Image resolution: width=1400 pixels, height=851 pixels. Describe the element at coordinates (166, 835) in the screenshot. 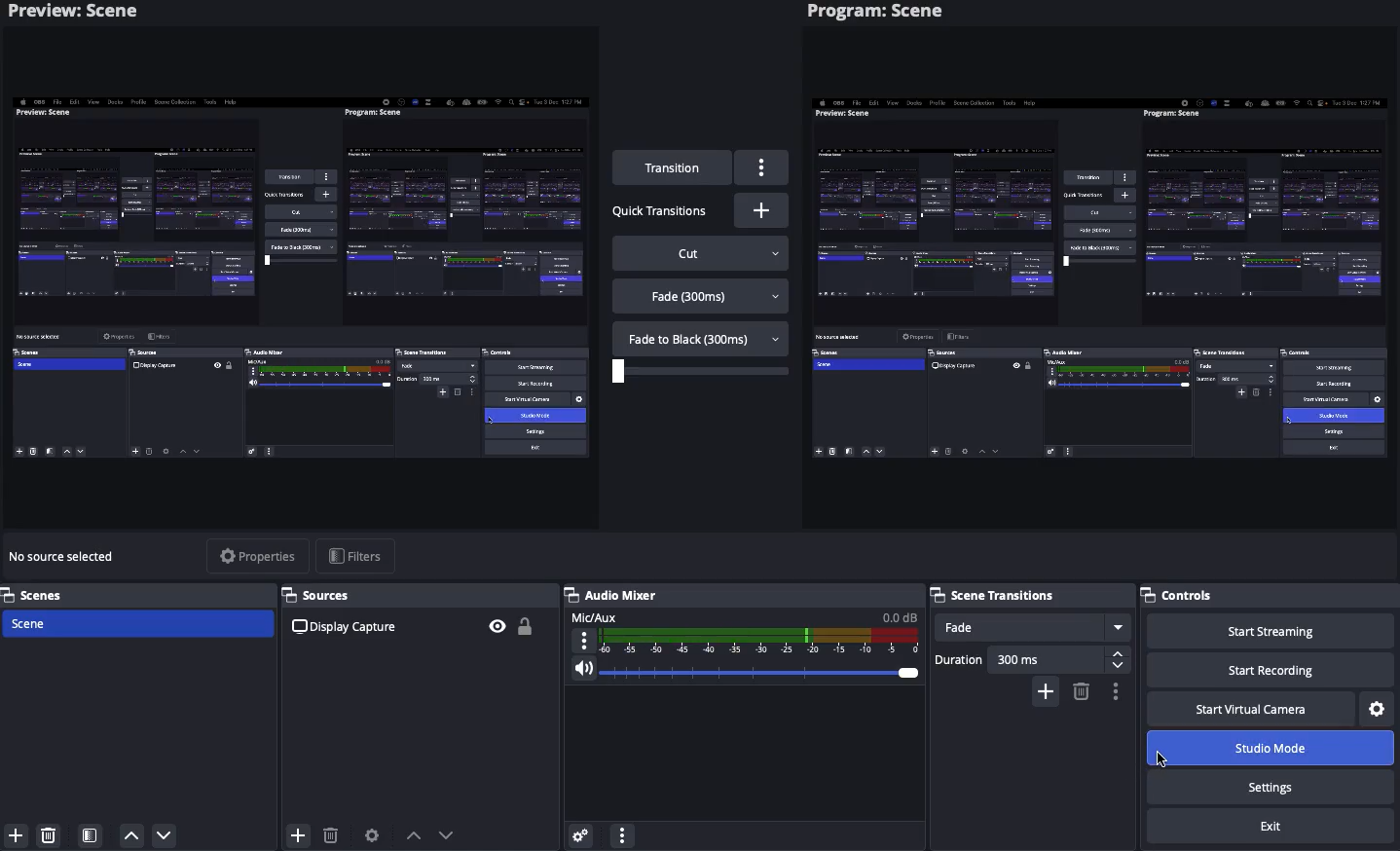

I see `move down` at that location.